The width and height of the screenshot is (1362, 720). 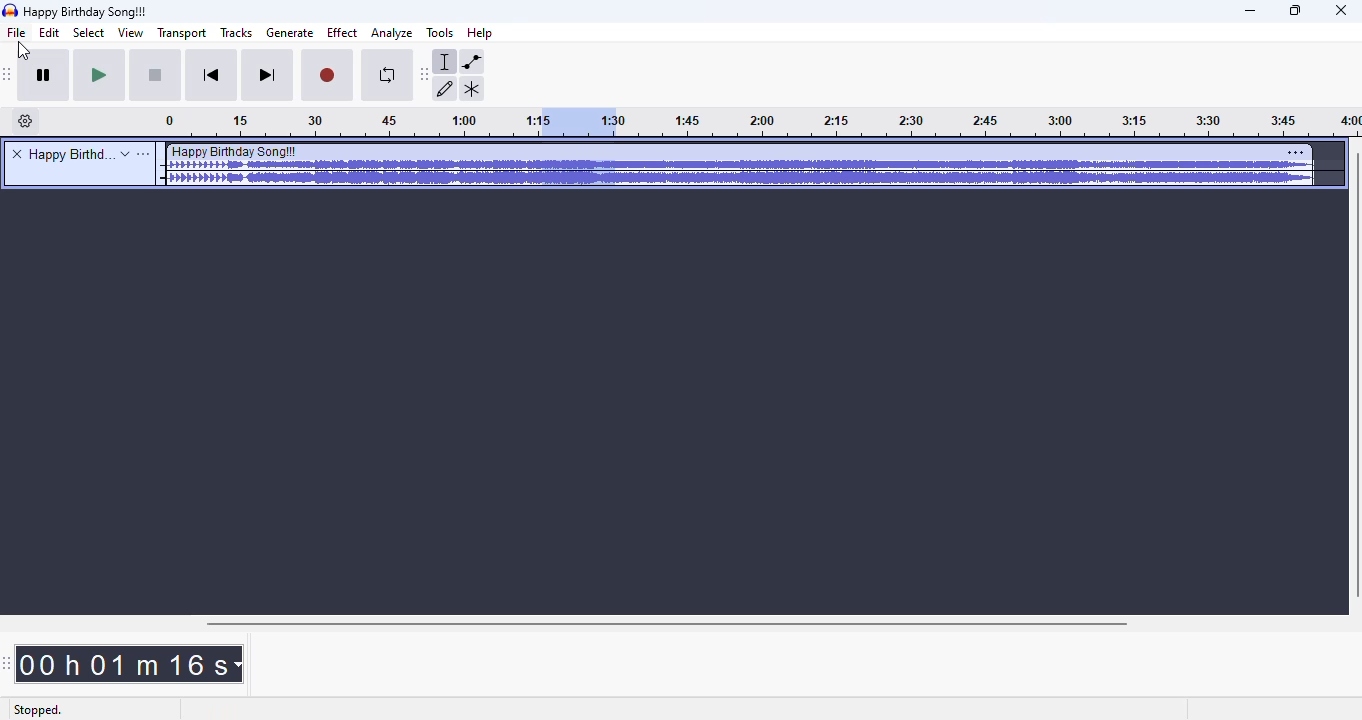 I want to click on skip to end, so click(x=268, y=76).